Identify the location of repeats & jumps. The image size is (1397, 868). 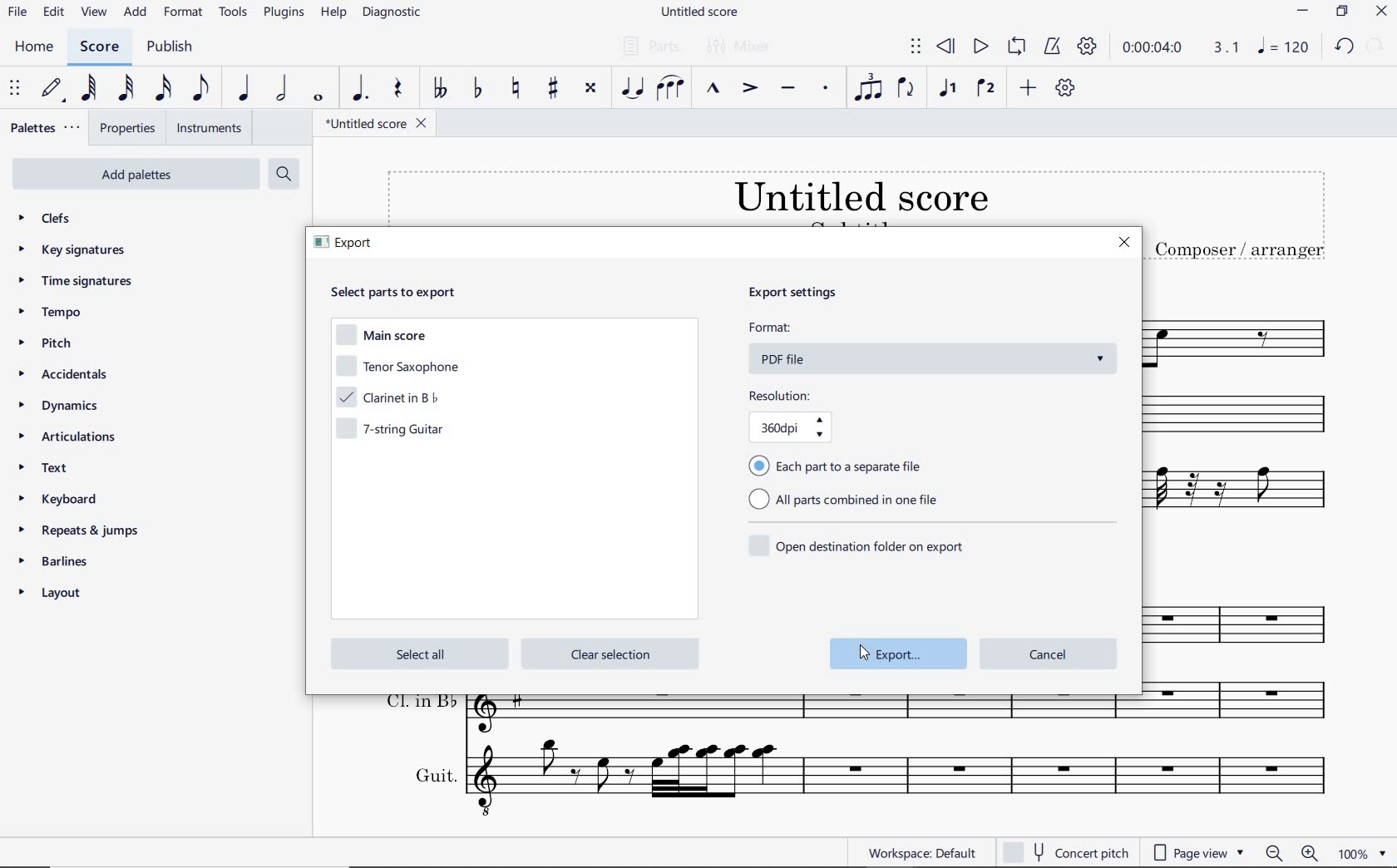
(82, 530).